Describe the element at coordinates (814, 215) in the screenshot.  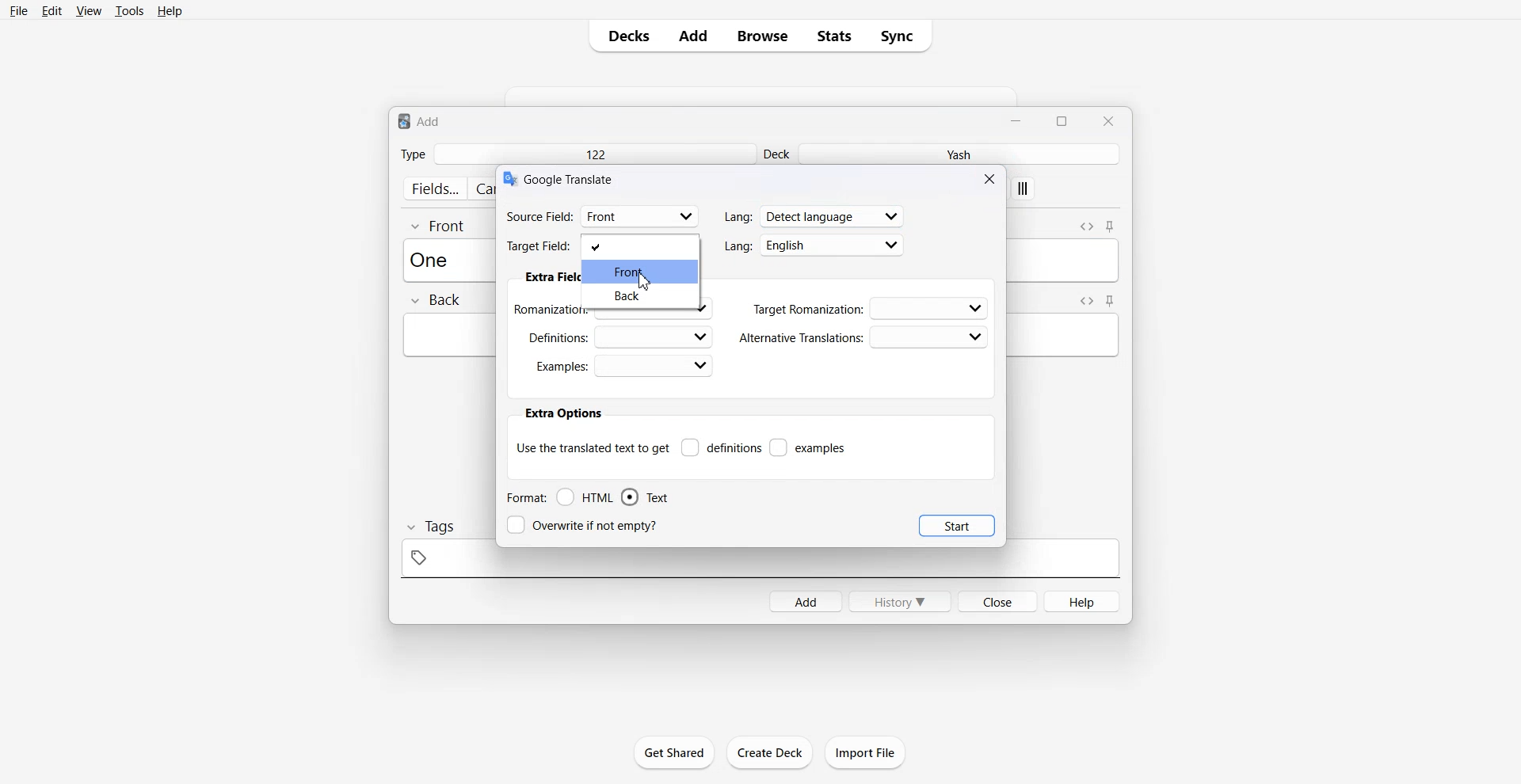
I see `Language` at that location.